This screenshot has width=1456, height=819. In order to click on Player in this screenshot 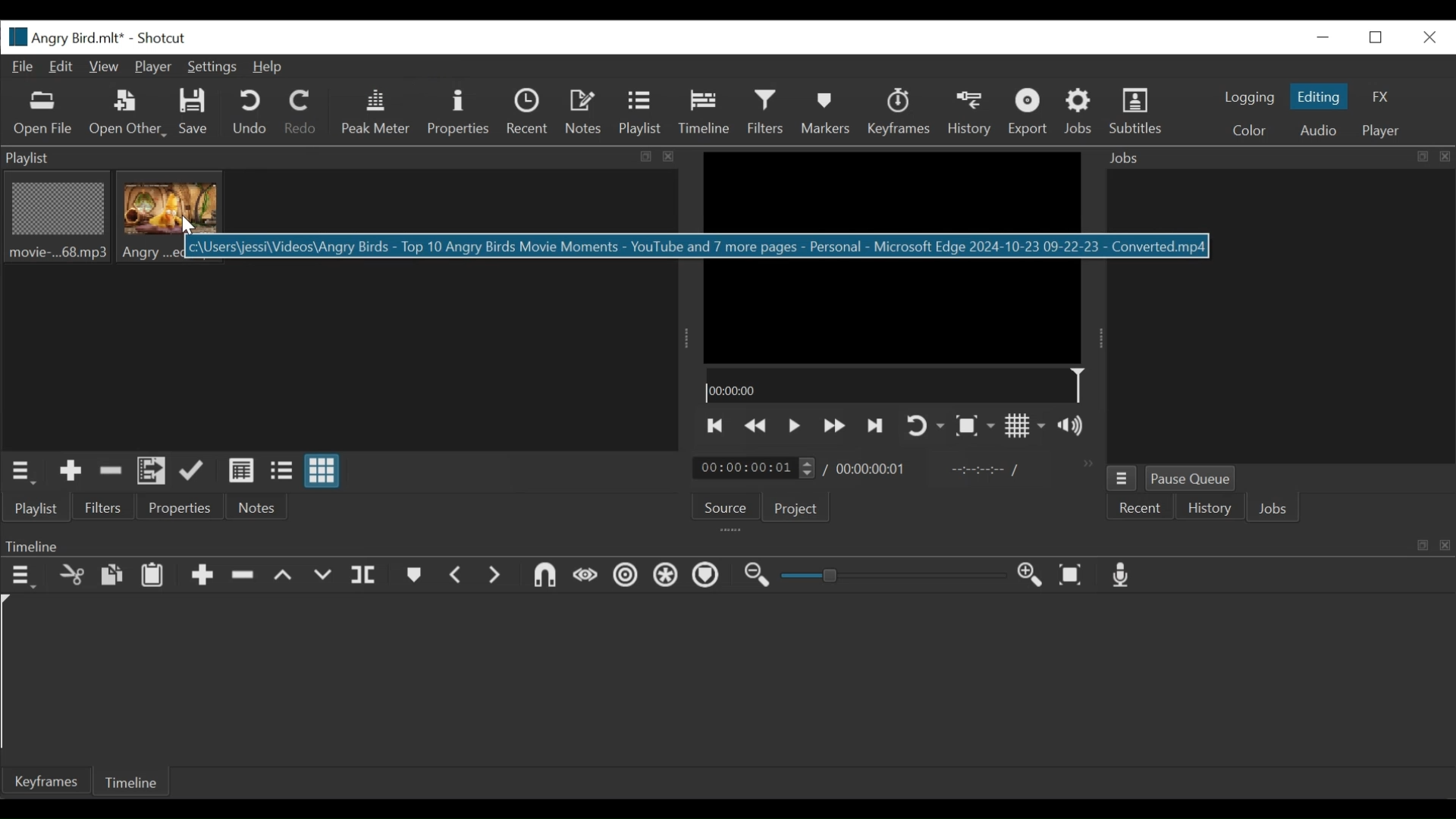, I will do `click(152, 67)`.